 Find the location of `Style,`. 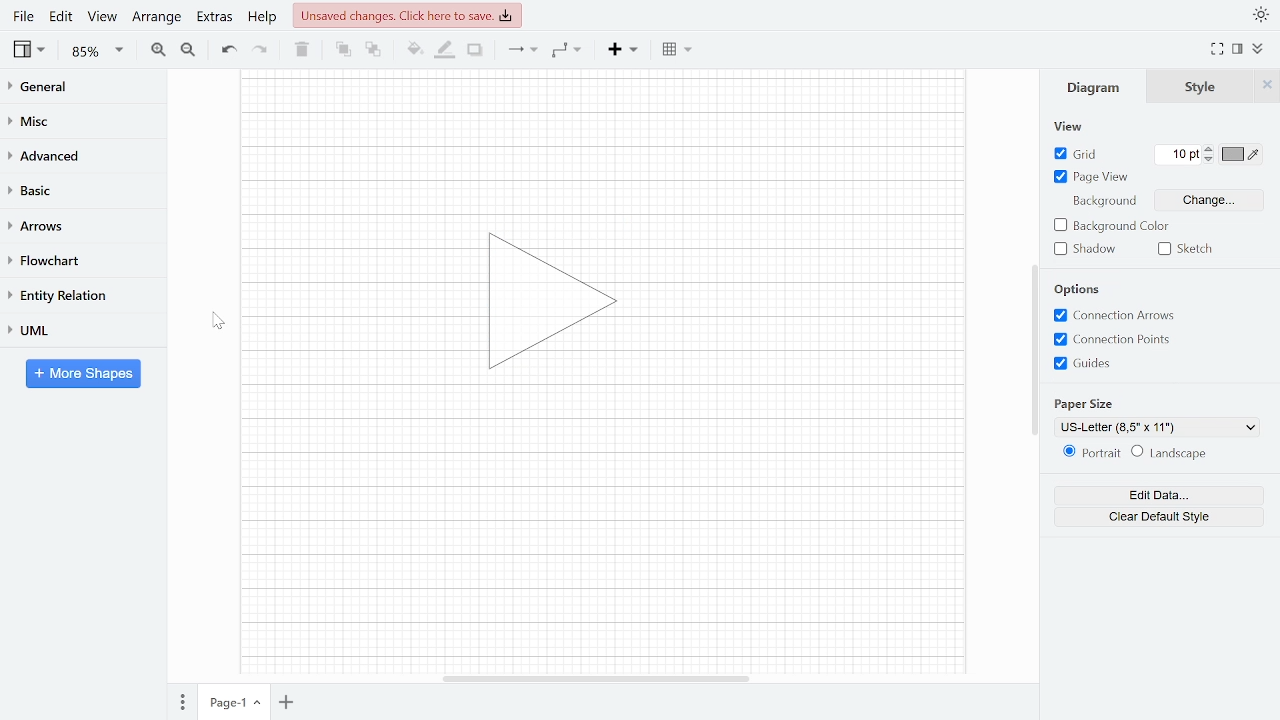

Style, is located at coordinates (1204, 89).